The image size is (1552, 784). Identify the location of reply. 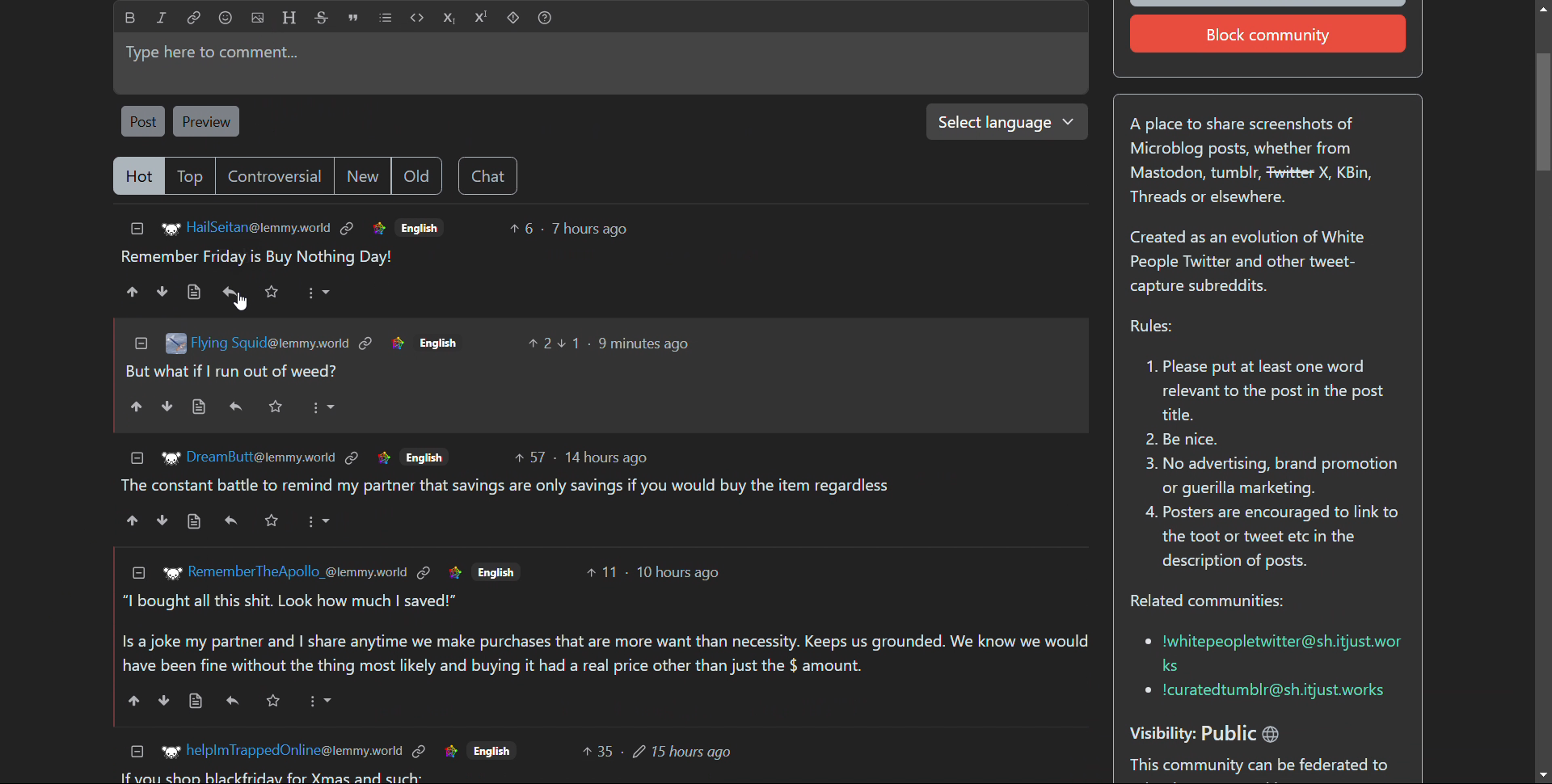
(230, 521).